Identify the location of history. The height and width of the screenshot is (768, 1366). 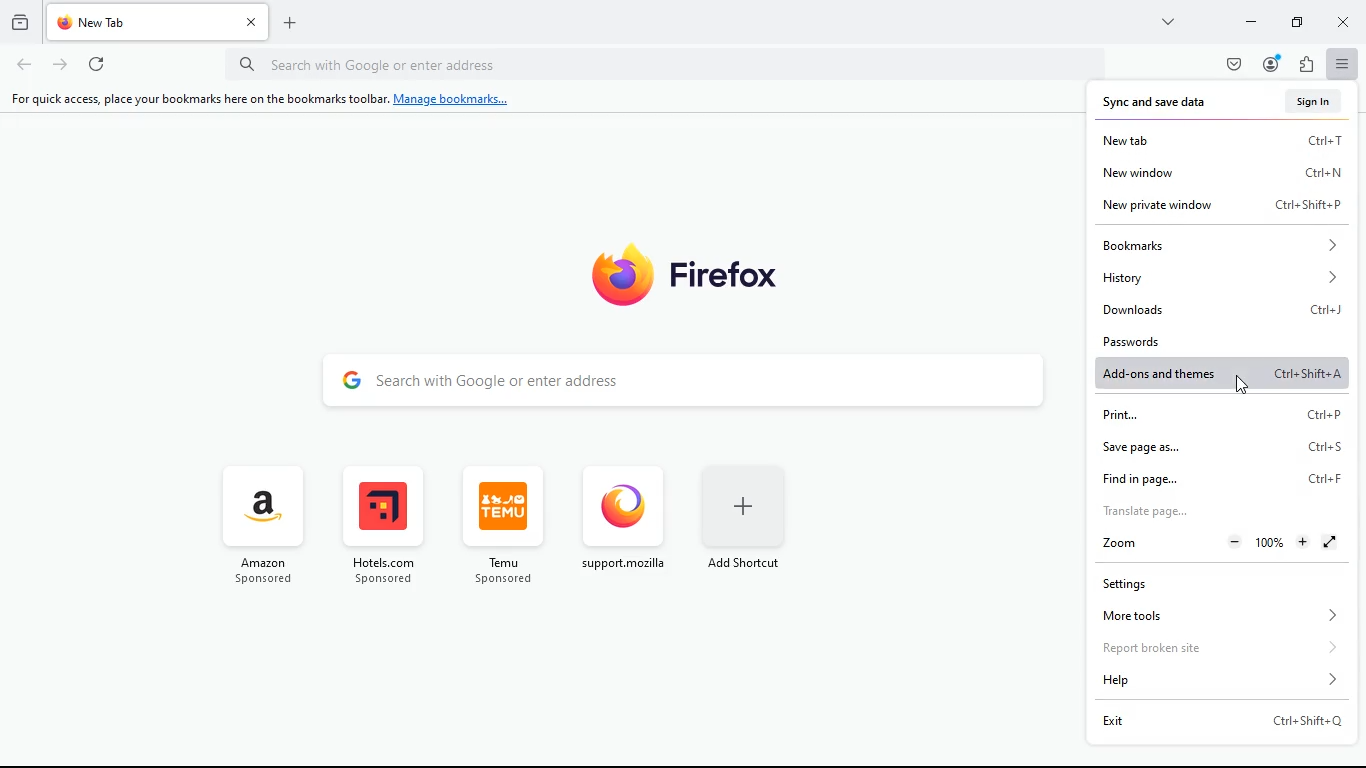
(1227, 278).